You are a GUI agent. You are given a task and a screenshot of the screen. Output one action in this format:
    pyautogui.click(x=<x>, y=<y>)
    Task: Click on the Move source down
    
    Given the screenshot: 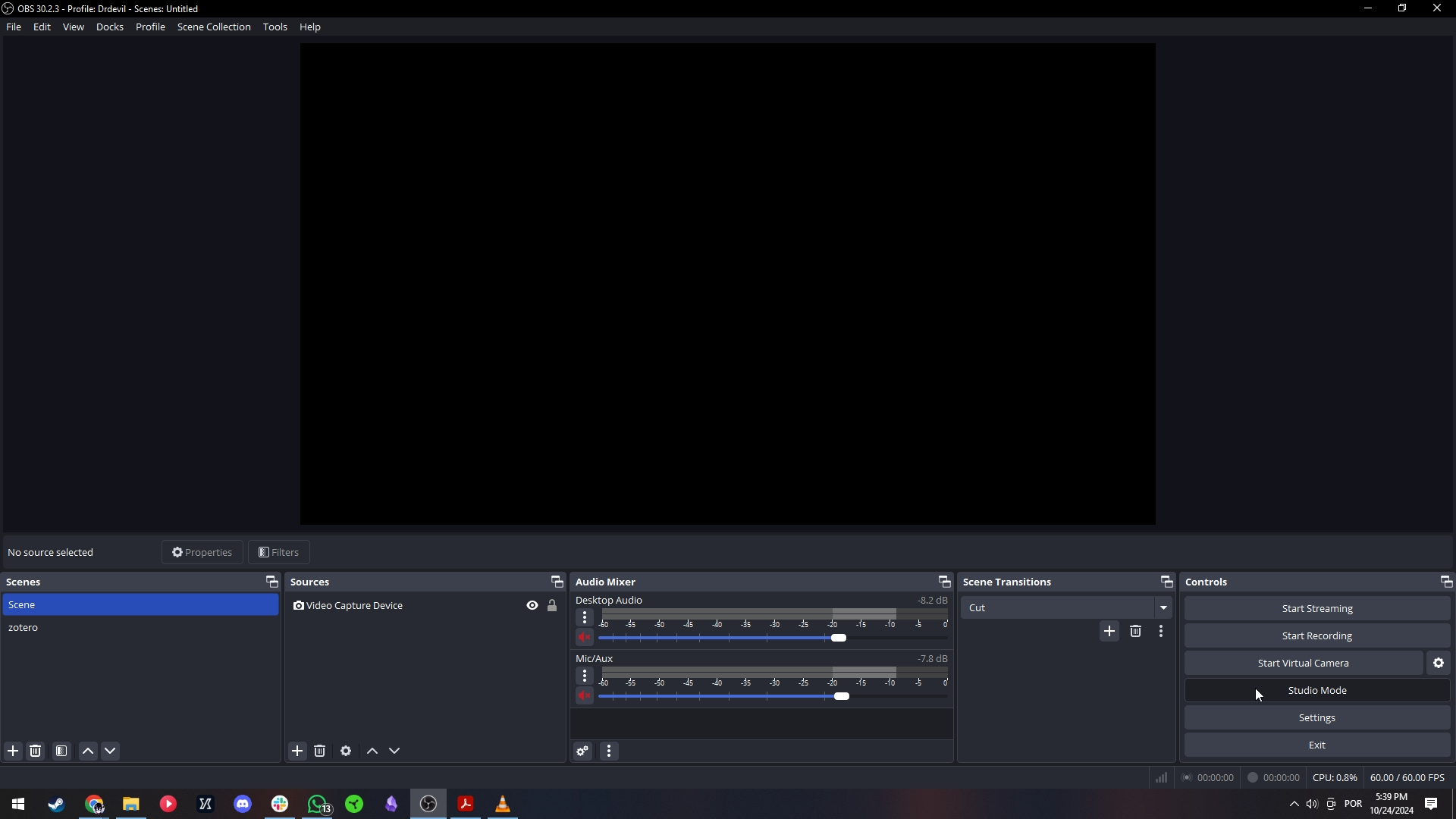 What is the action you would take?
    pyautogui.click(x=394, y=752)
    